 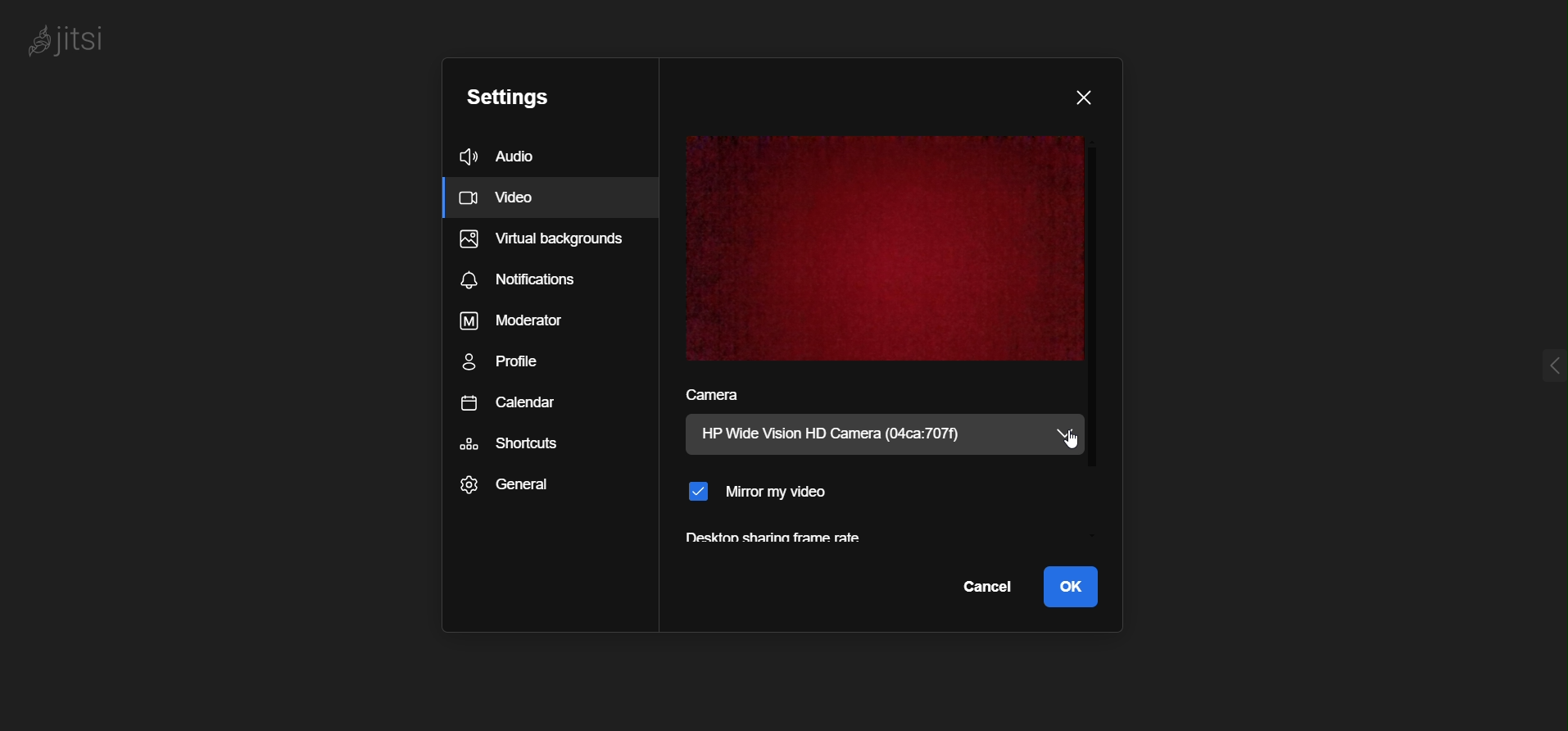 What do you see at coordinates (518, 366) in the screenshot?
I see `profile` at bounding box center [518, 366].